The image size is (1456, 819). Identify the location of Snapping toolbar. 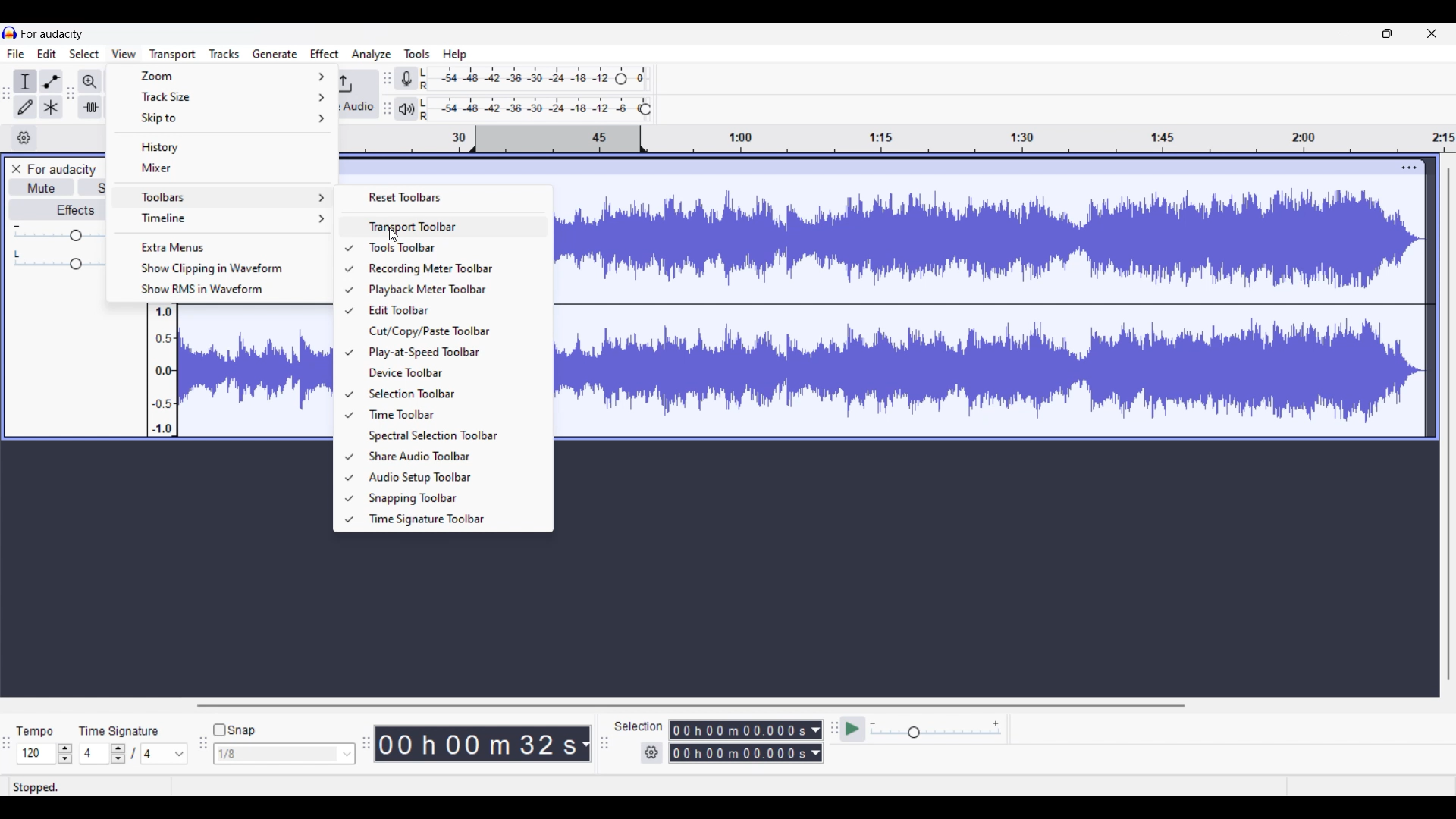
(451, 498).